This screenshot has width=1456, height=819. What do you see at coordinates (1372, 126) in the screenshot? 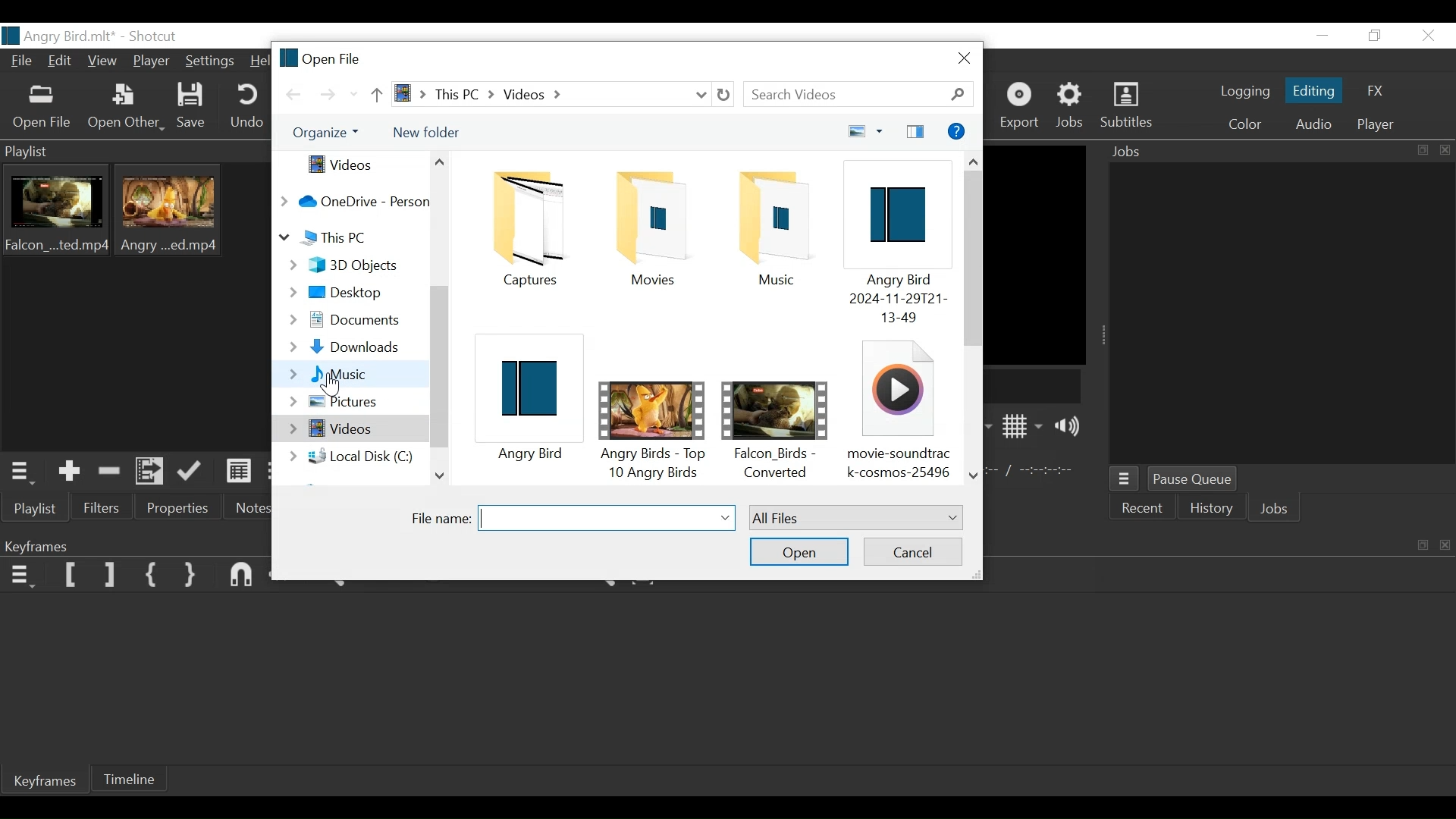
I see `Player` at bounding box center [1372, 126].